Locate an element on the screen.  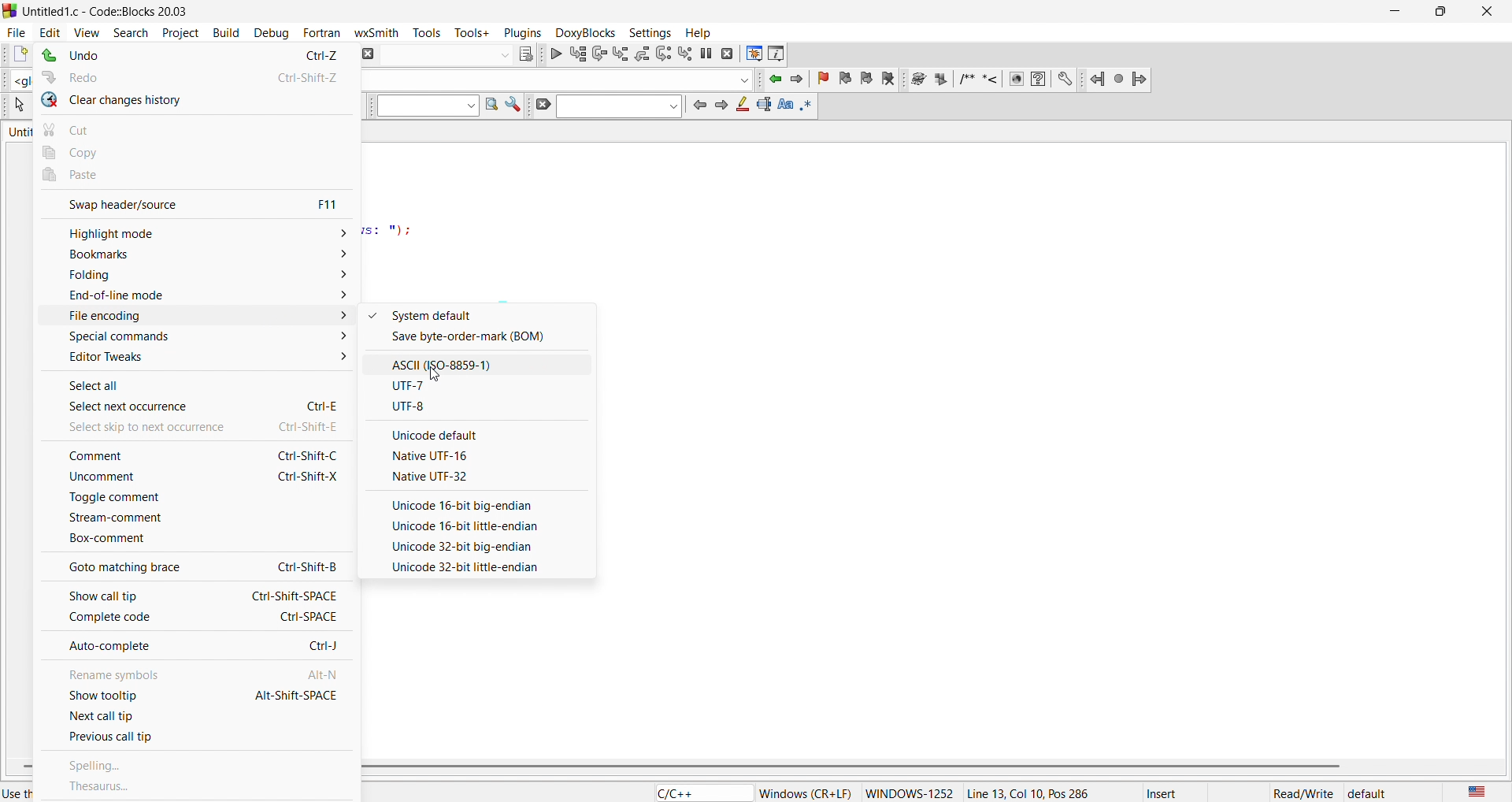
settings is located at coordinates (1065, 80).